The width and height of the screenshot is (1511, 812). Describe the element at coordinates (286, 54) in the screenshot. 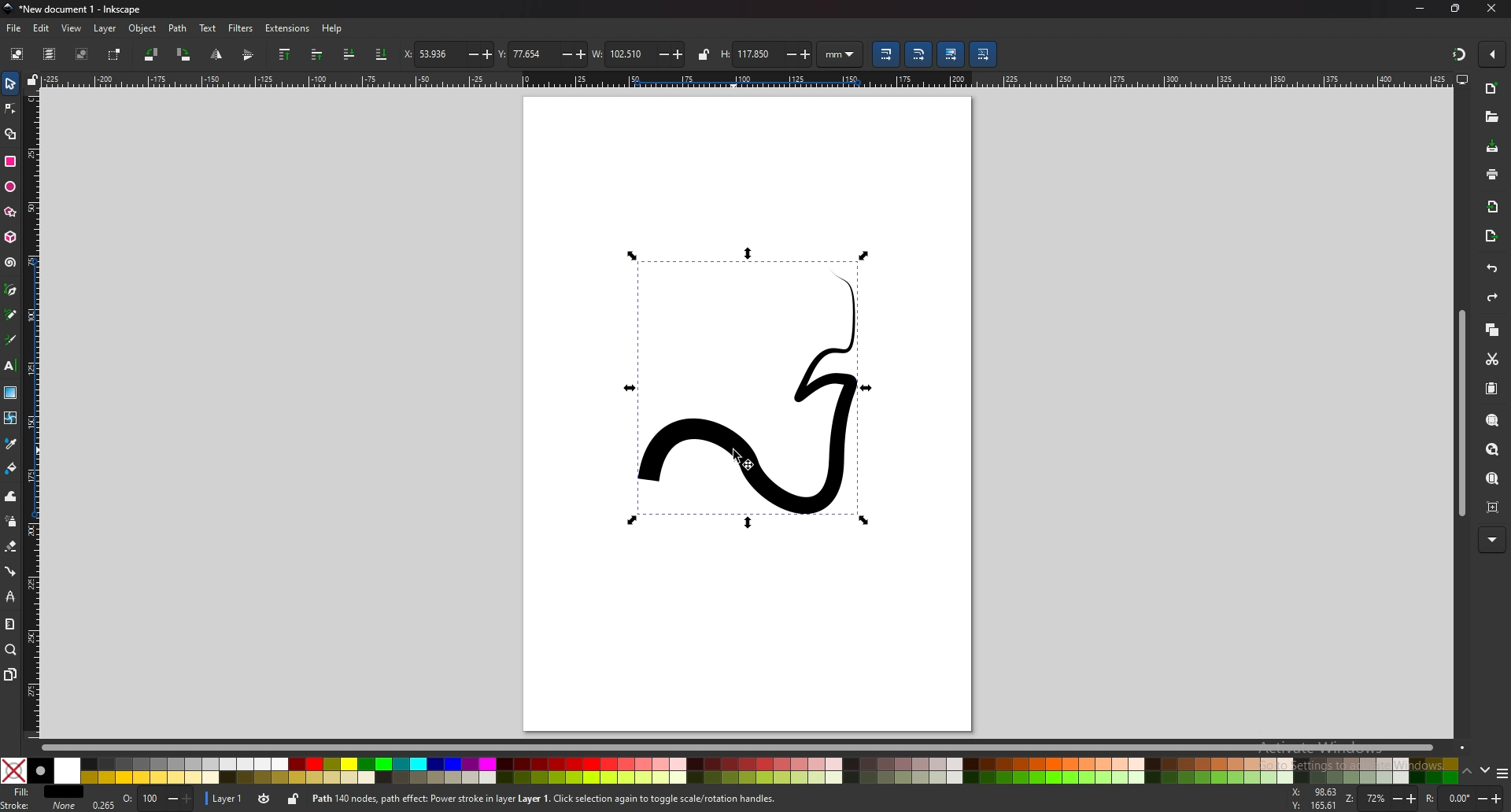

I see `raise selection to top` at that location.